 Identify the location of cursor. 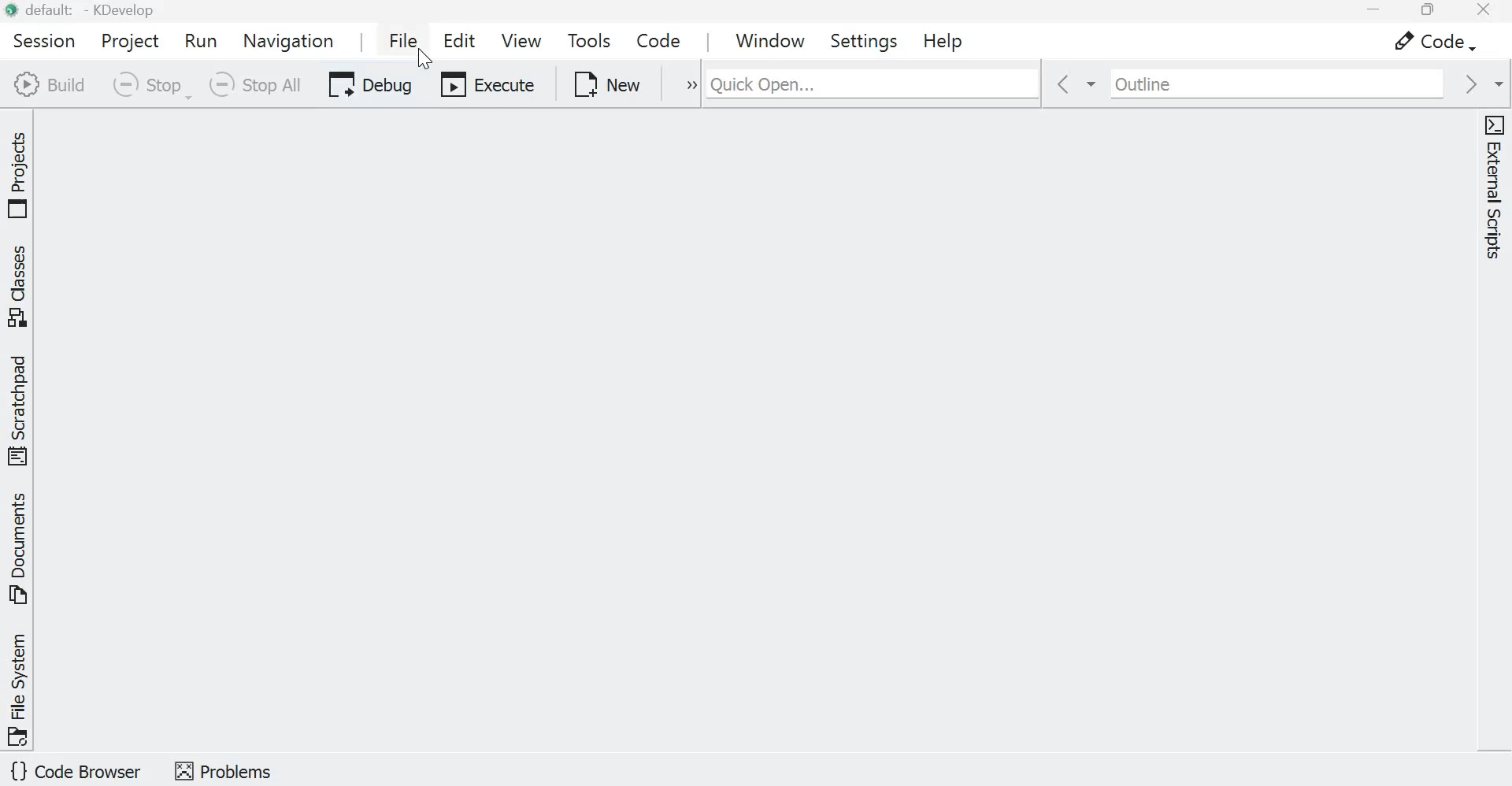
(425, 60).